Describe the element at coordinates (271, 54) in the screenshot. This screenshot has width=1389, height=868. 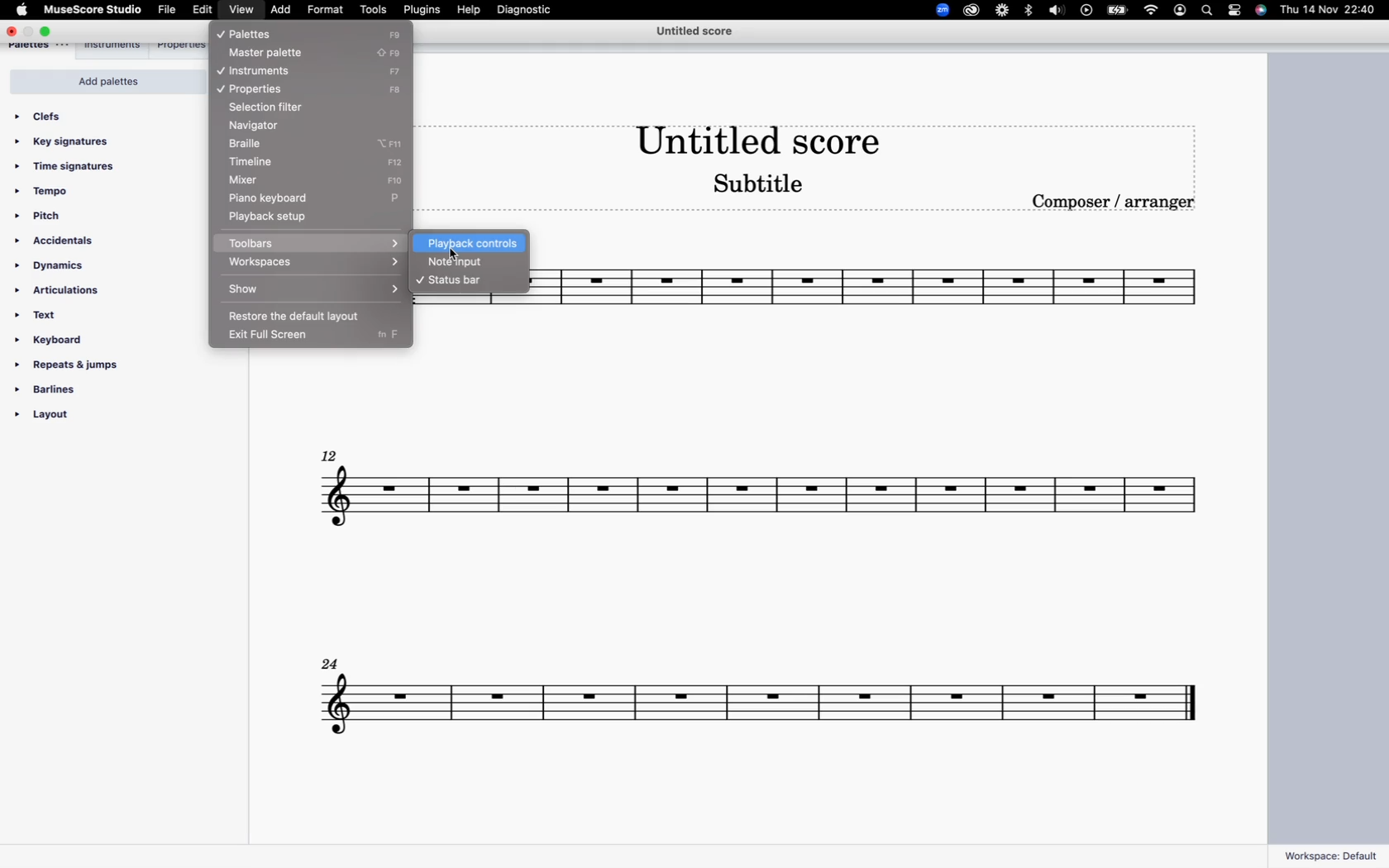
I see `master palette` at that location.